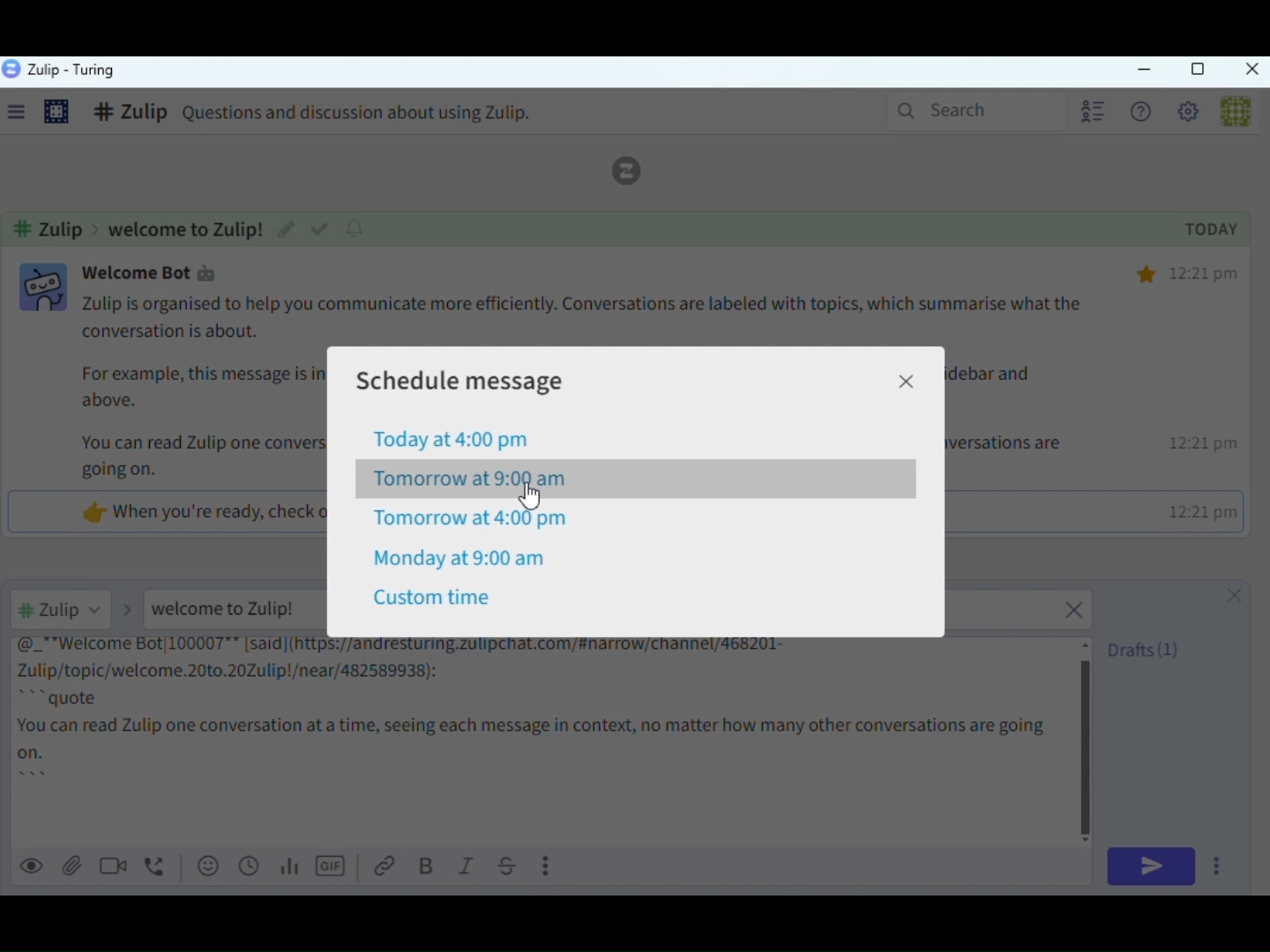 Image resolution: width=1270 pixels, height=952 pixels. What do you see at coordinates (331, 115) in the screenshot?
I see `Comment` at bounding box center [331, 115].